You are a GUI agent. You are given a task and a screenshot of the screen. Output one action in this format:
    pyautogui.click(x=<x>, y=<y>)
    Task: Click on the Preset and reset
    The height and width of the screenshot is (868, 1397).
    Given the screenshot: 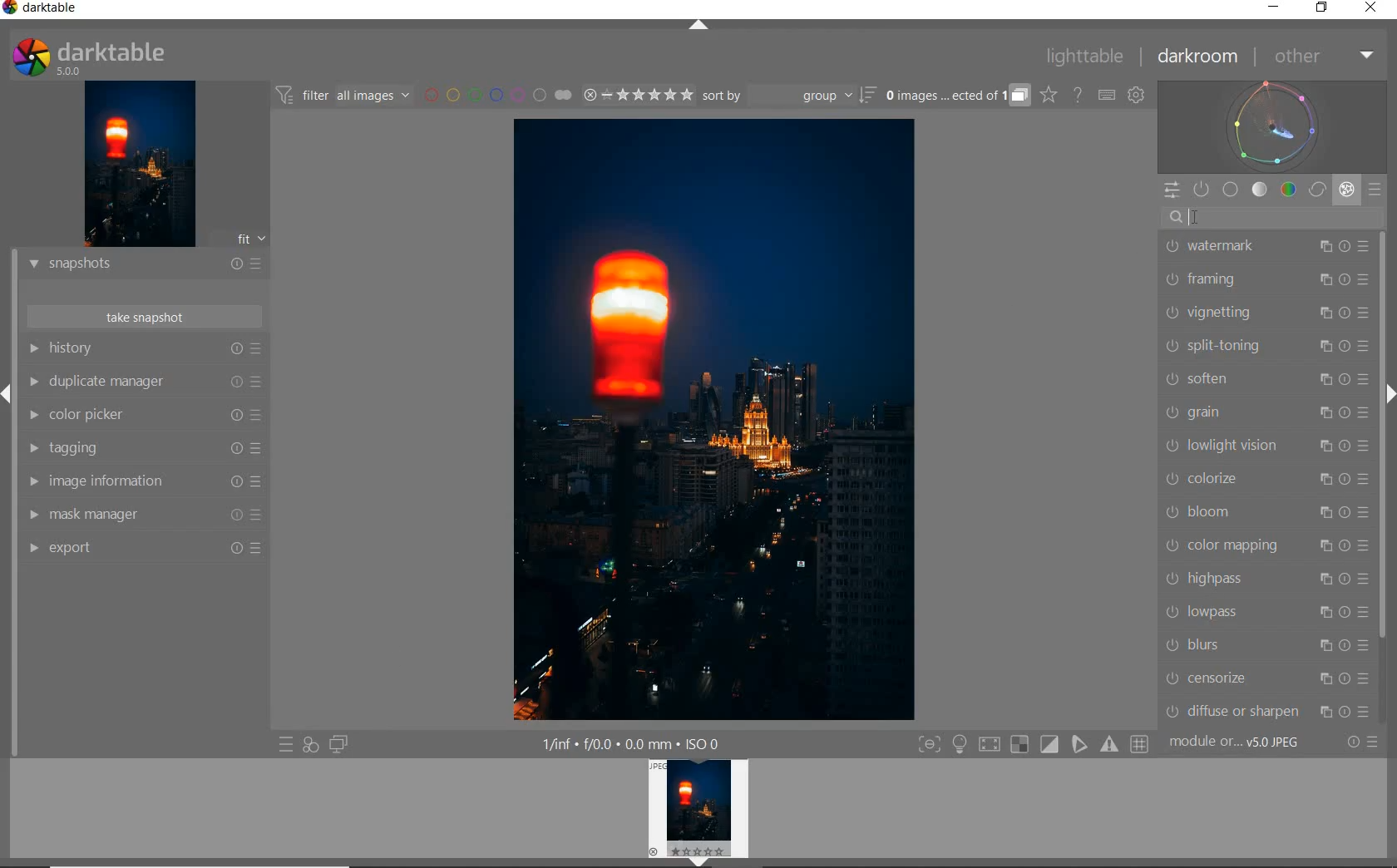 What is the action you would take?
    pyautogui.click(x=1366, y=376)
    